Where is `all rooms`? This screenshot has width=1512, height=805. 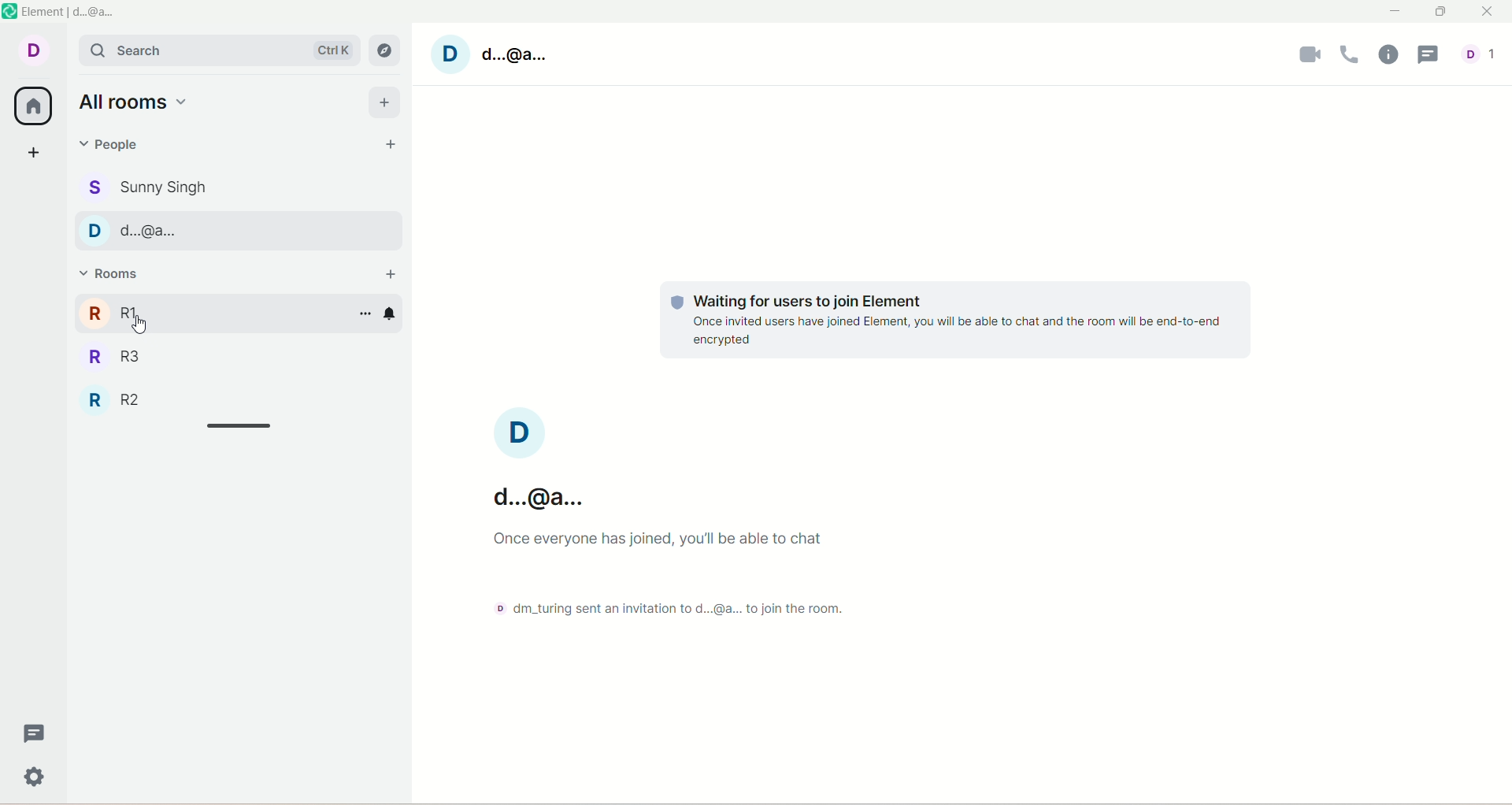 all rooms is located at coordinates (136, 103).